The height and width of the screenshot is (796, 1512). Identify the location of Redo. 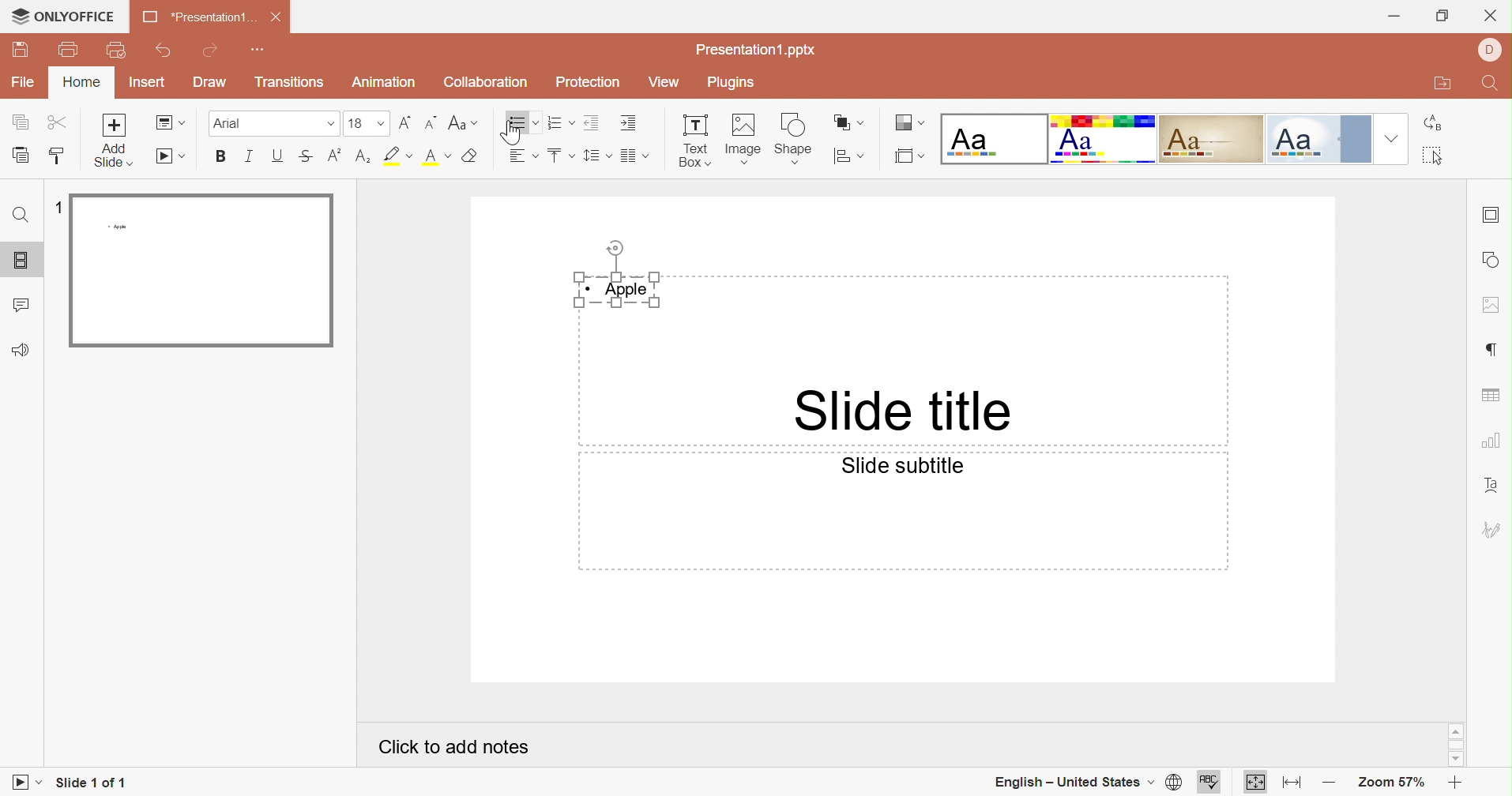
(210, 52).